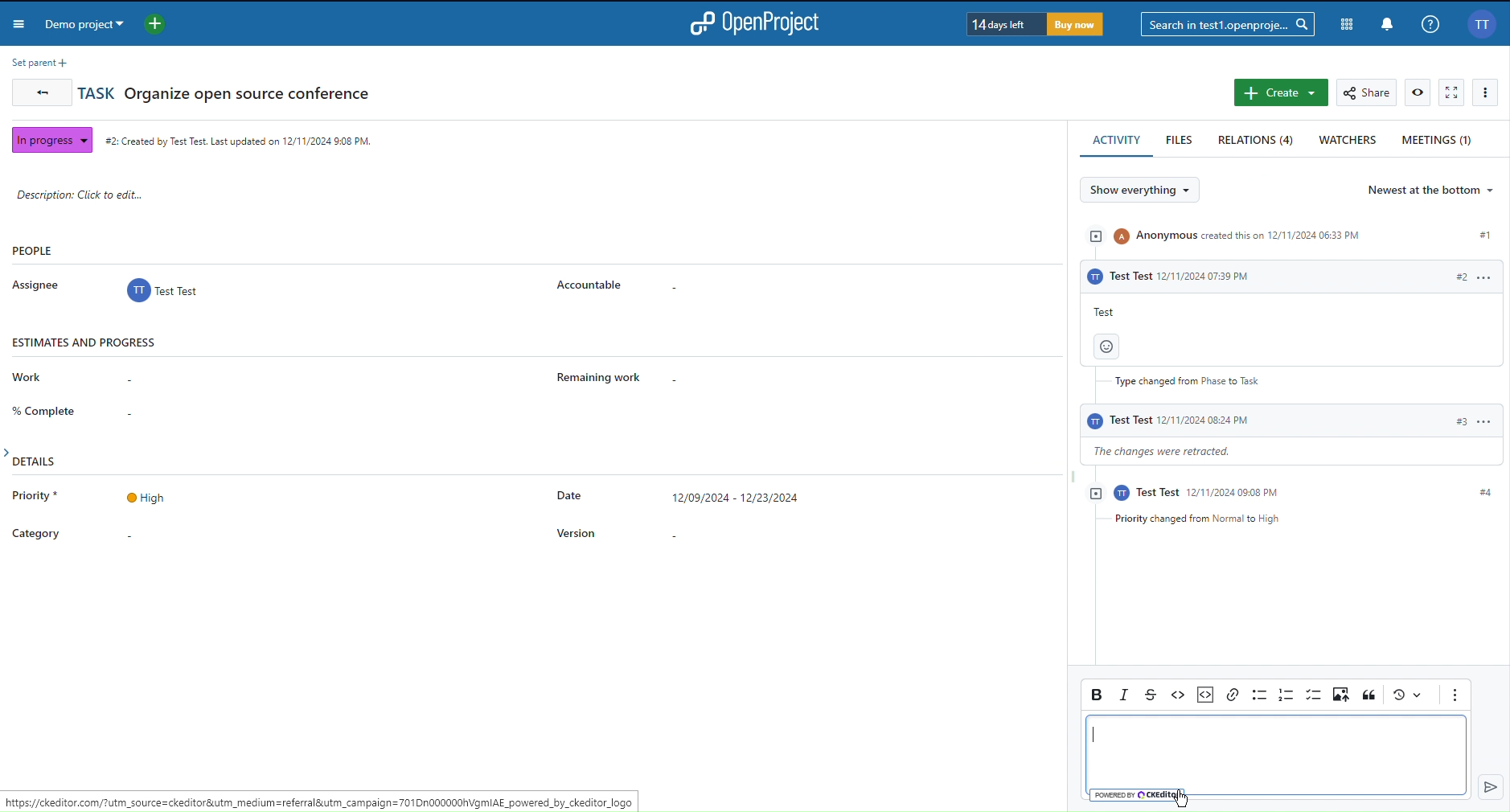 Image resolution: width=1510 pixels, height=812 pixels. What do you see at coordinates (1455, 695) in the screenshot?
I see `More` at bounding box center [1455, 695].